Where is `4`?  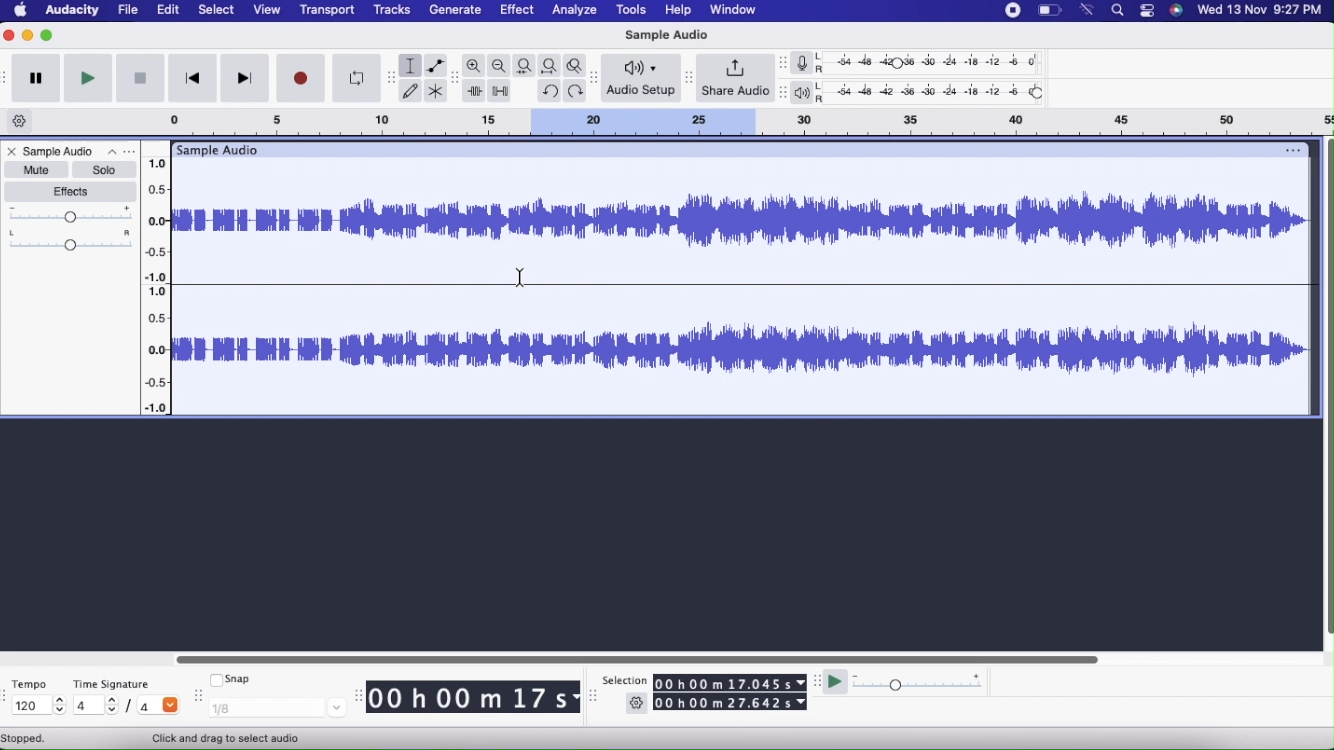 4 is located at coordinates (159, 704).